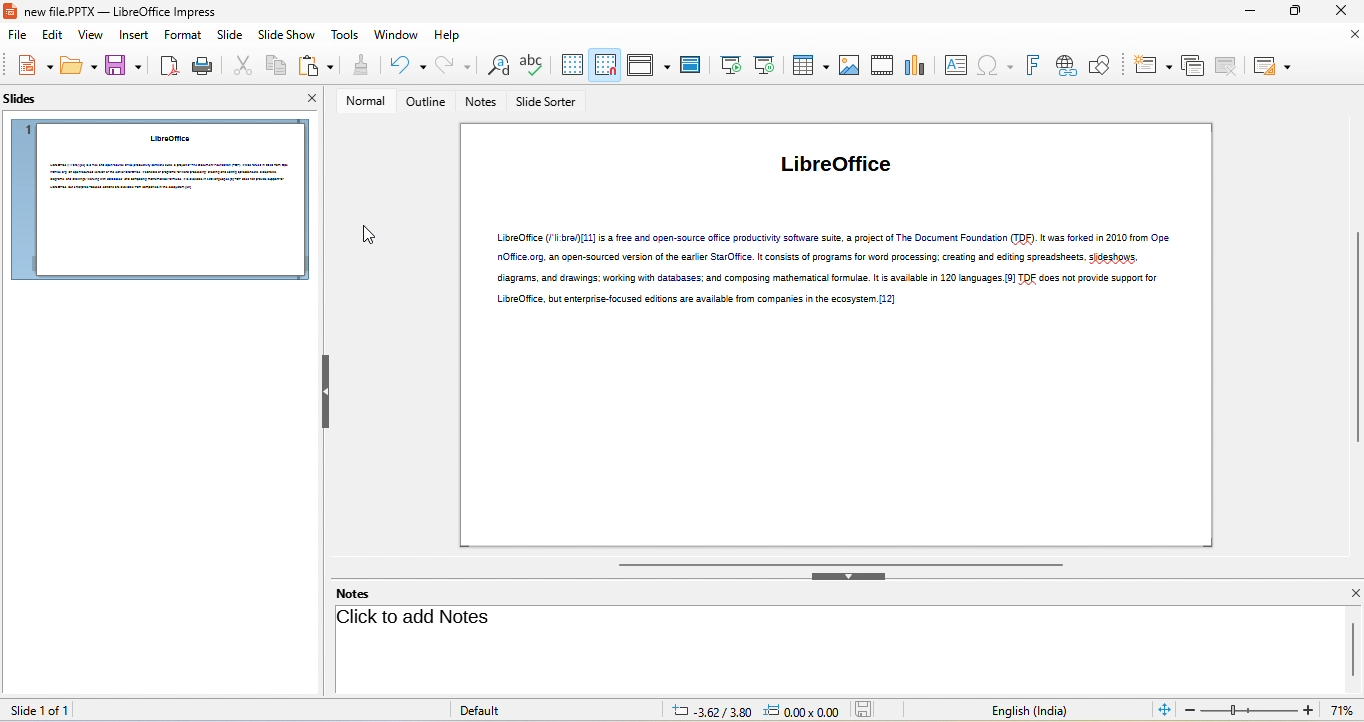 This screenshot has width=1364, height=722. I want to click on print, so click(204, 65).